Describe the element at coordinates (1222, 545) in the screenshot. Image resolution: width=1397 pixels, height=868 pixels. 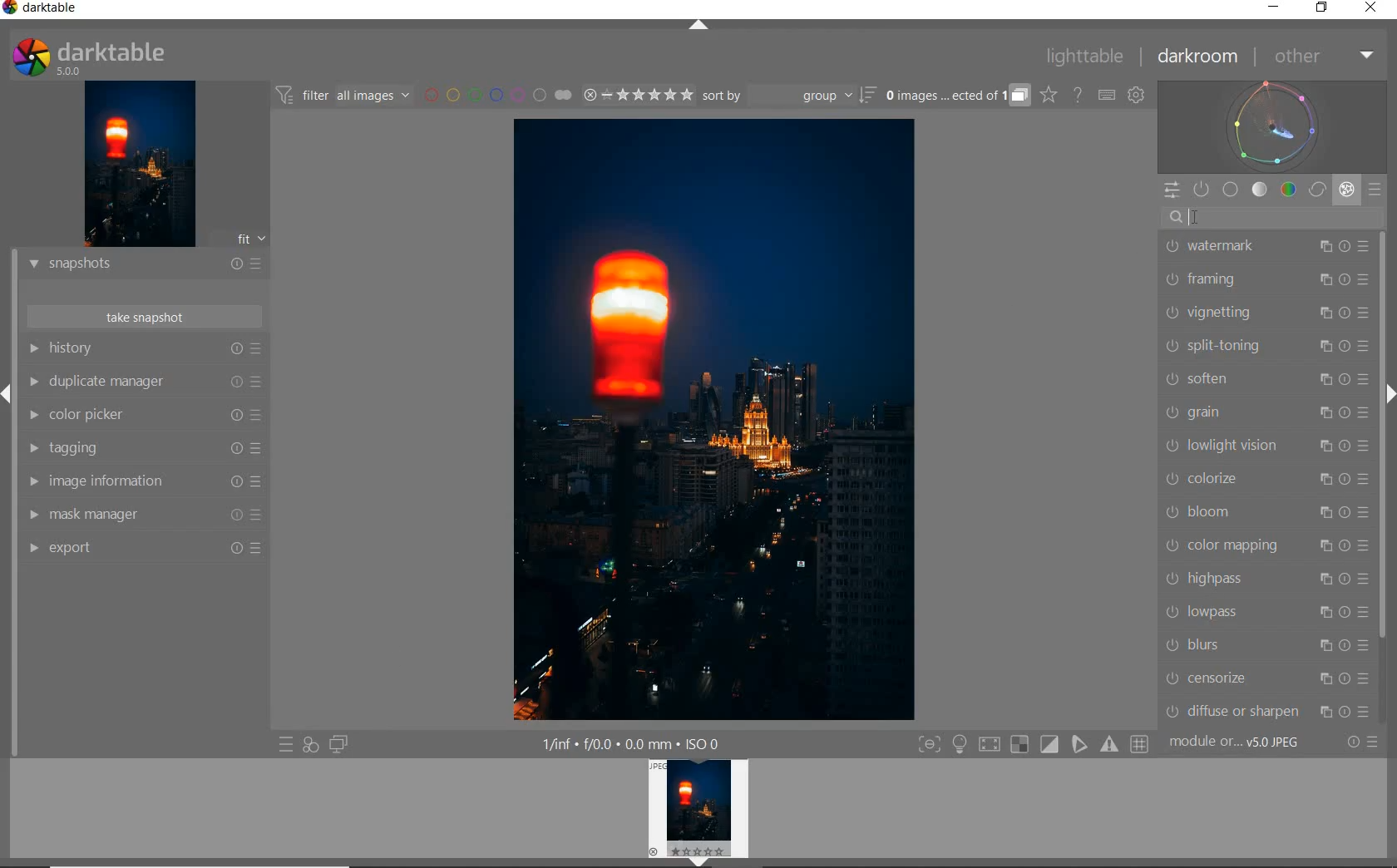
I see `COLOR AMPPING` at that location.